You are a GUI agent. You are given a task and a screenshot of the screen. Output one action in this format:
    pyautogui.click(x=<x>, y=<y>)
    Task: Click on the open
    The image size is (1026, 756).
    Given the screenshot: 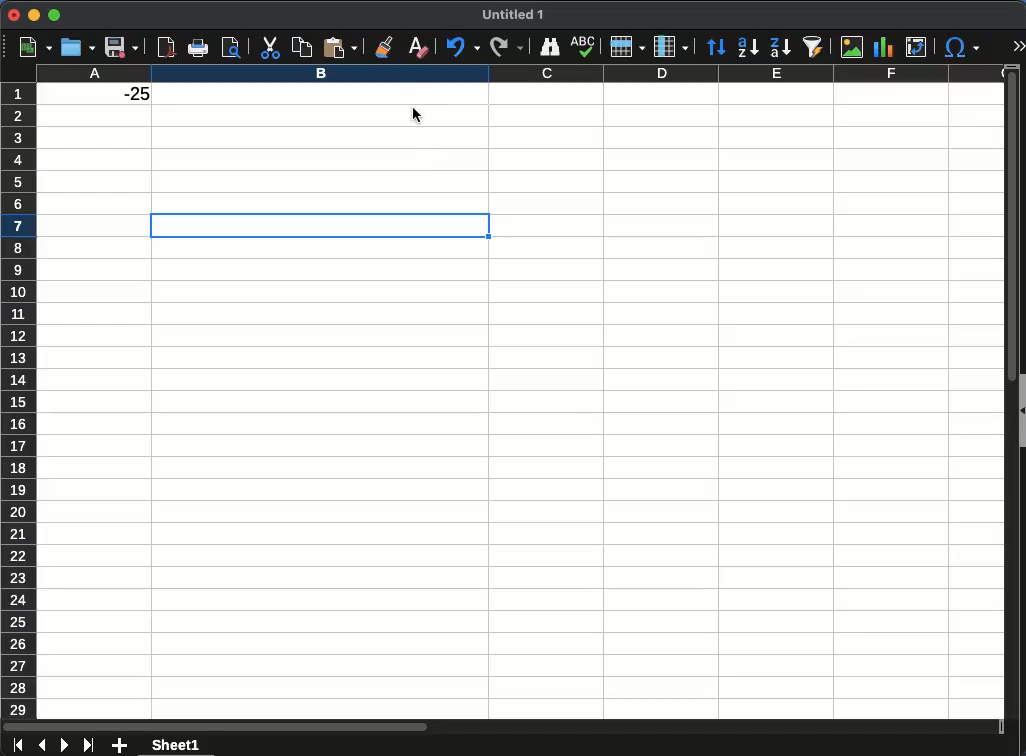 What is the action you would take?
    pyautogui.click(x=76, y=48)
    